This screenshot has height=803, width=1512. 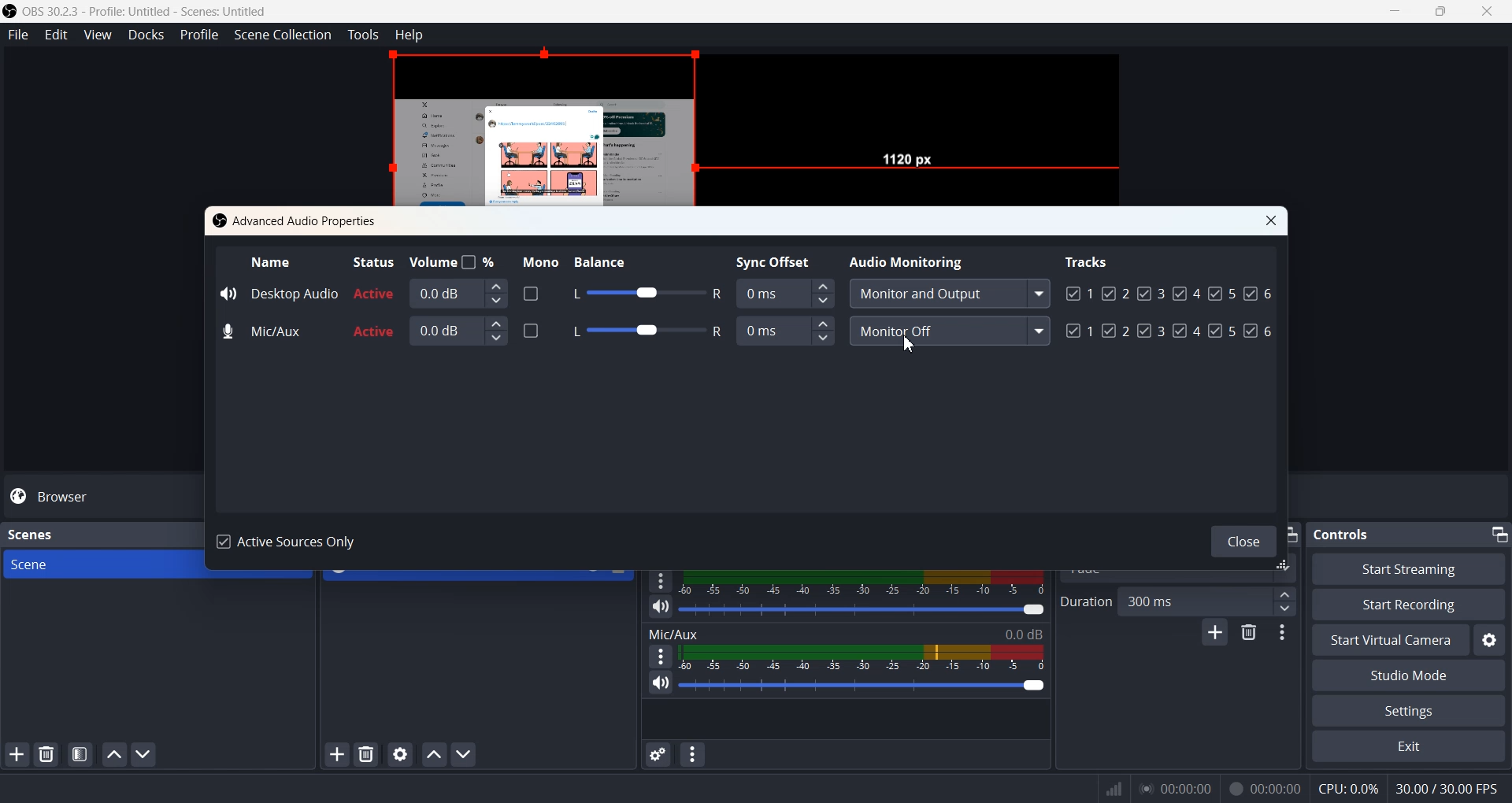 What do you see at coordinates (862, 657) in the screenshot?
I see `Volume Indicator` at bounding box center [862, 657].